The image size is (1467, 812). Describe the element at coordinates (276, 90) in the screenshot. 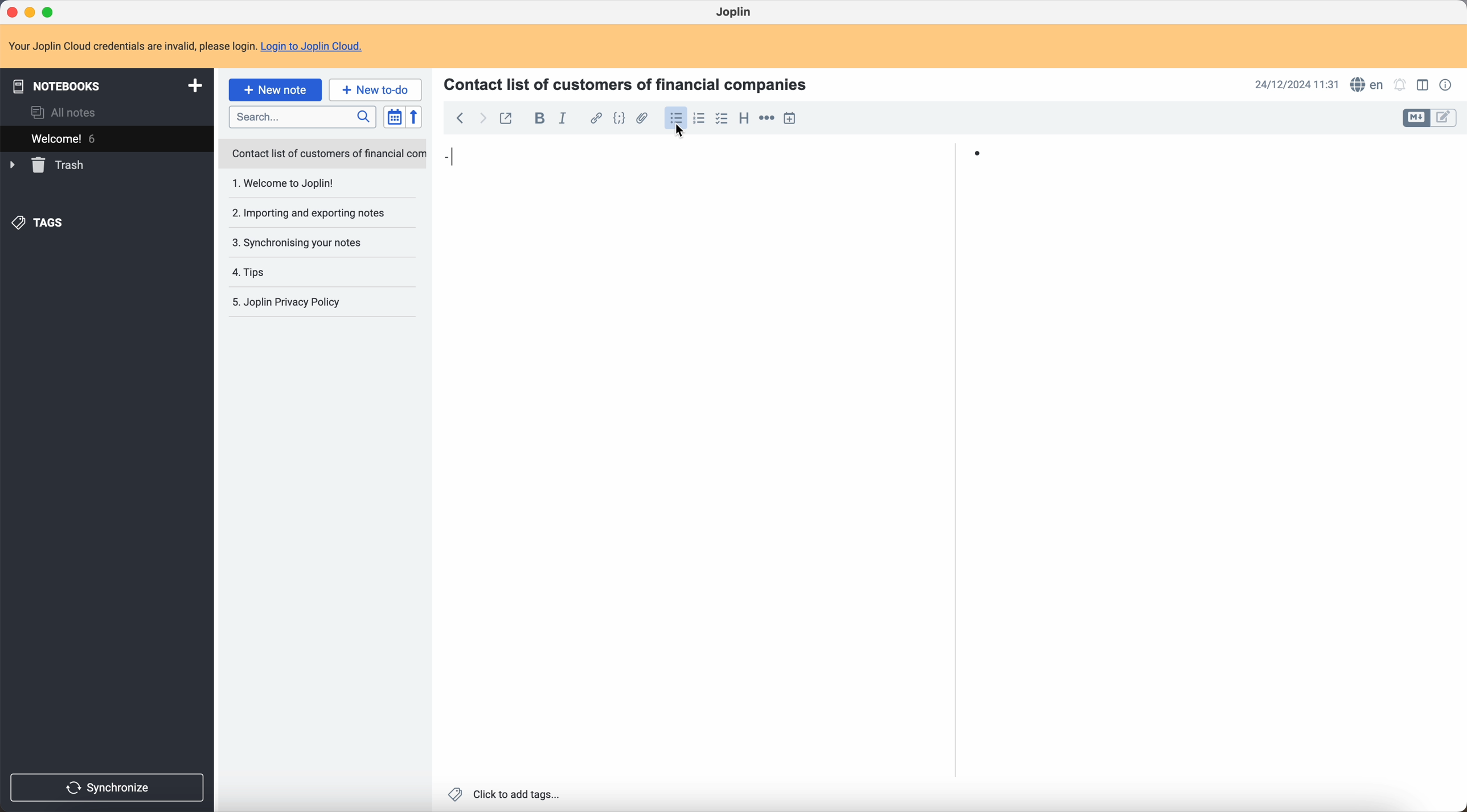

I see `click on new note` at that location.